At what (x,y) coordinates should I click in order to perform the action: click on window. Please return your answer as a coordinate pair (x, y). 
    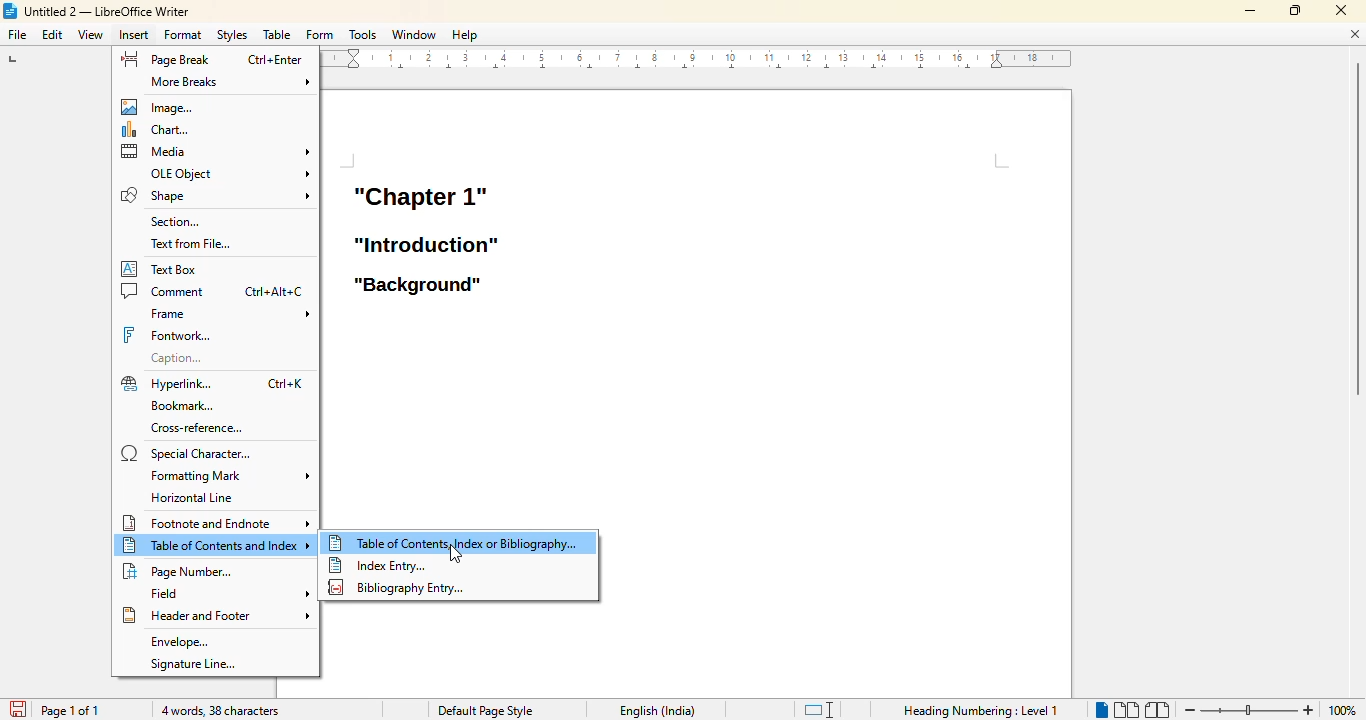
    Looking at the image, I should click on (415, 34).